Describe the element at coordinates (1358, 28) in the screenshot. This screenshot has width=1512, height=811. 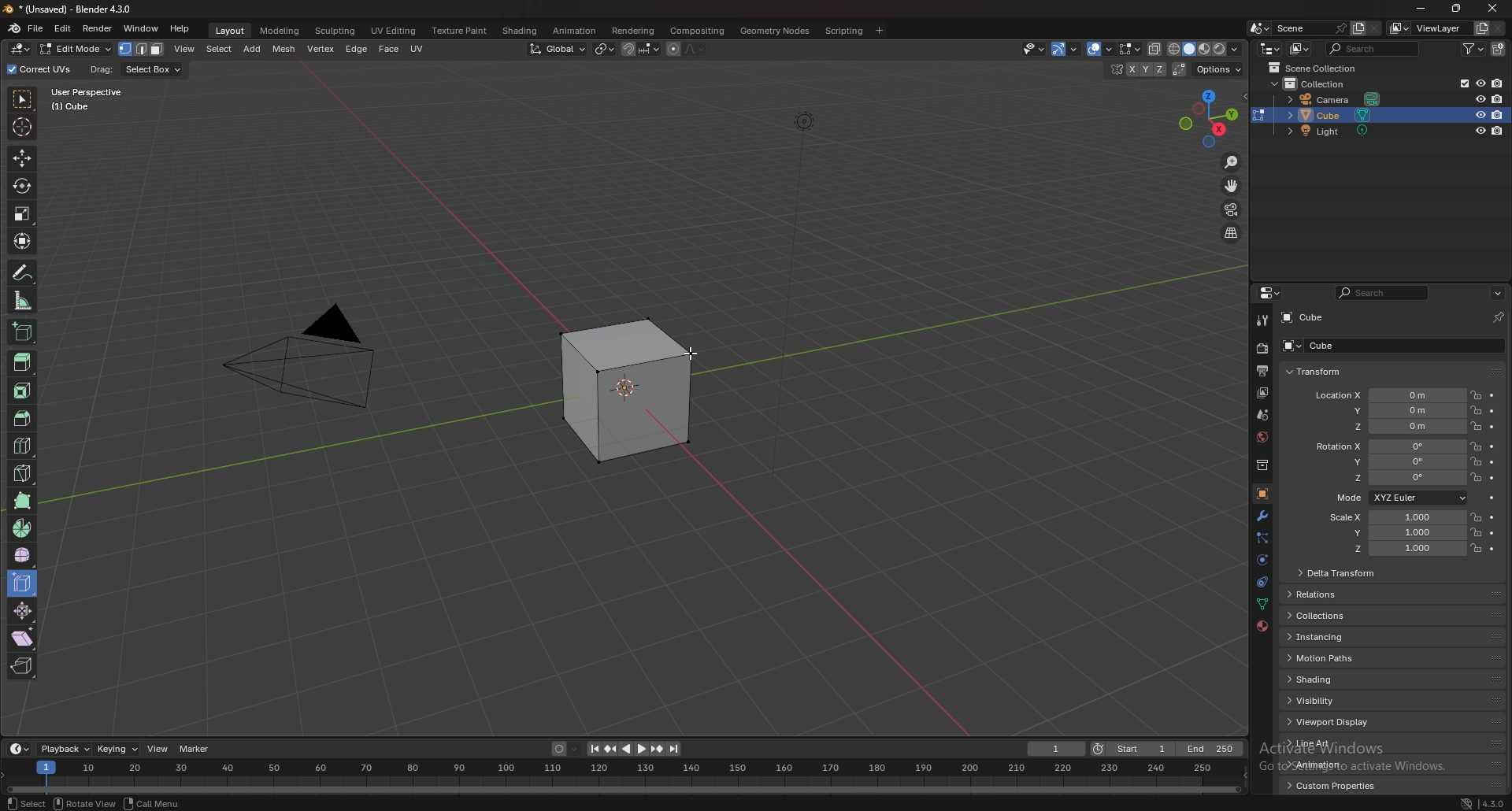
I see `add layer` at that location.